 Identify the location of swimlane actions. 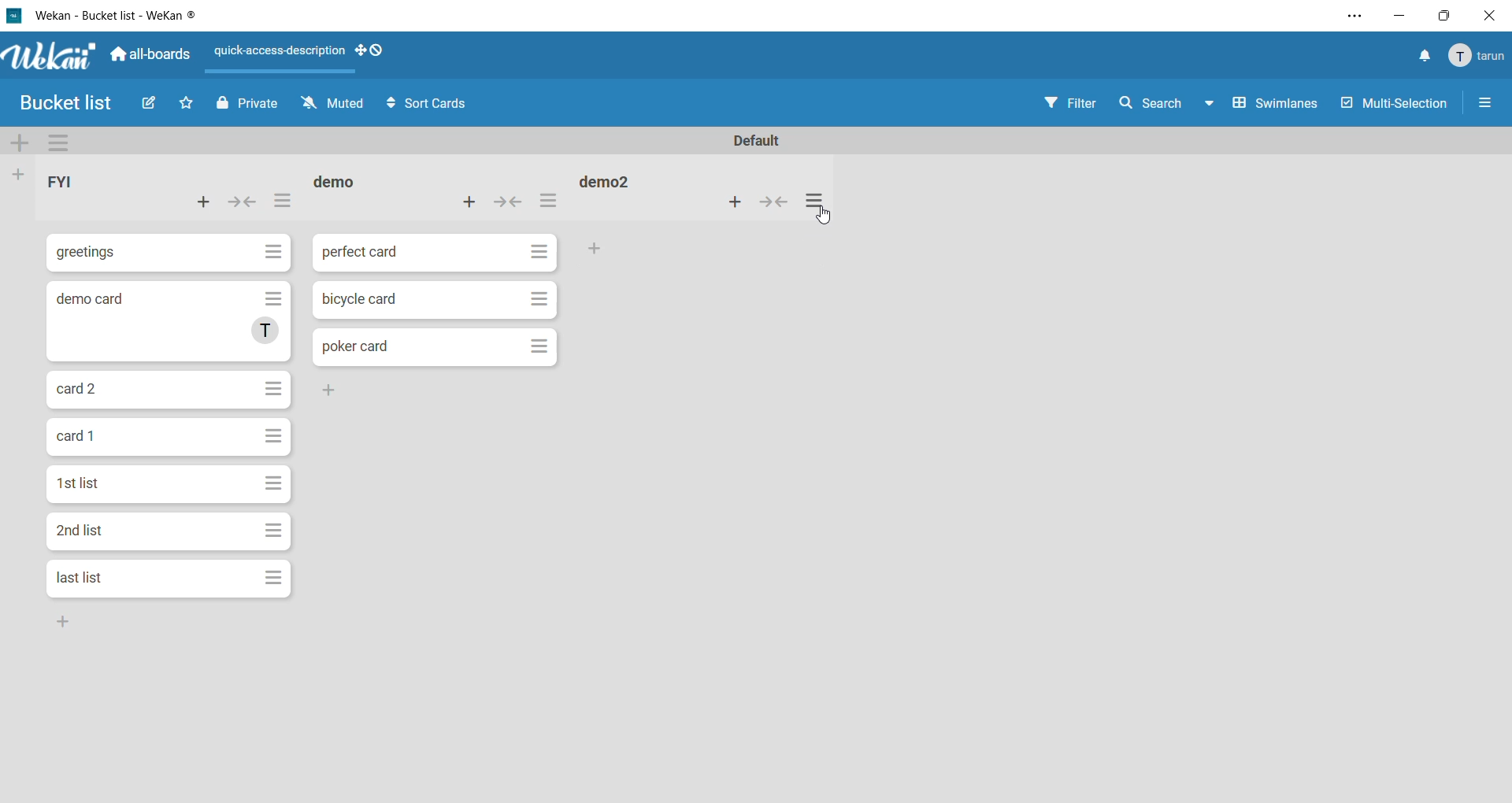
(65, 141).